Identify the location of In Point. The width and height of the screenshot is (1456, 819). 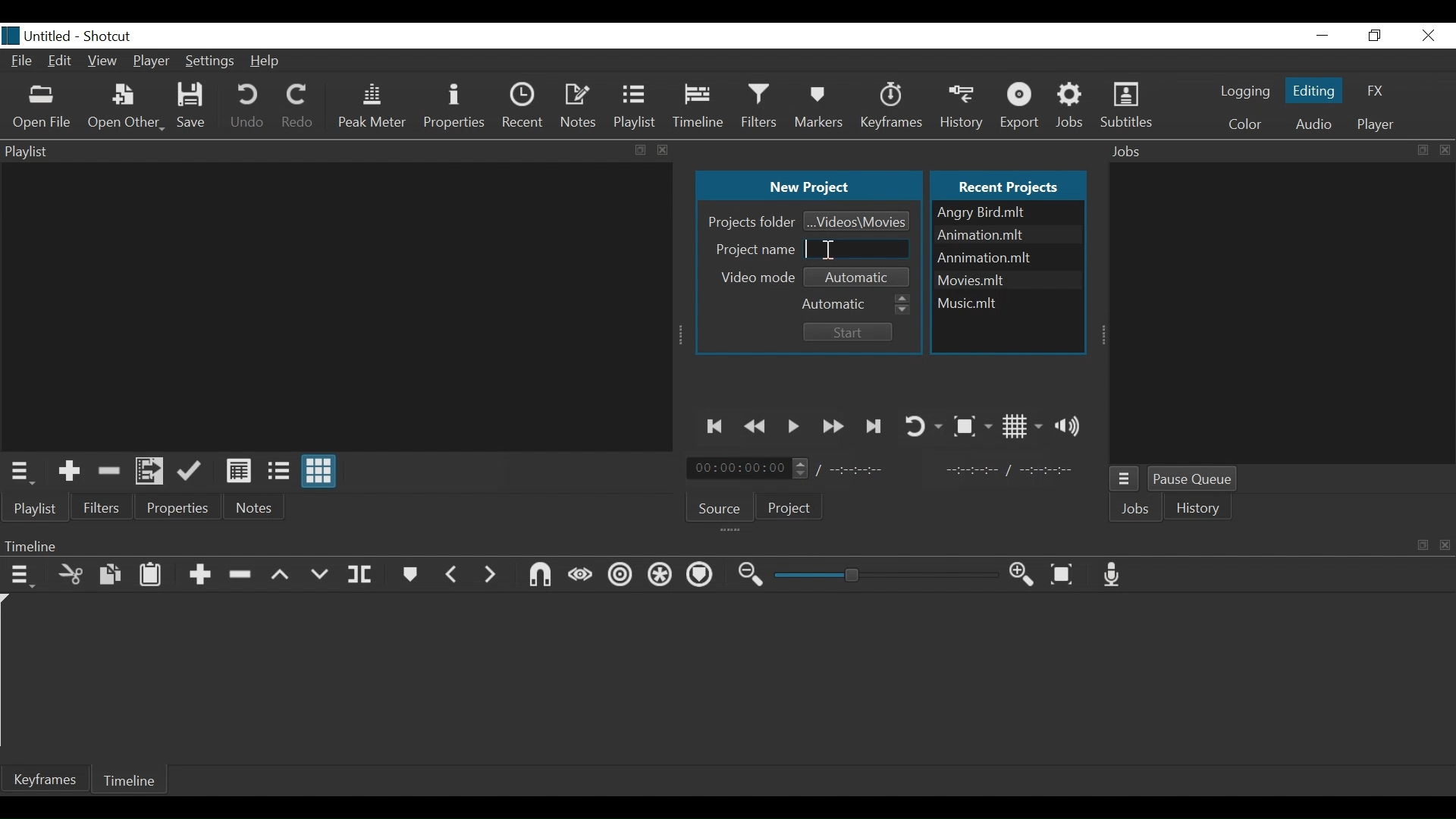
(1009, 470).